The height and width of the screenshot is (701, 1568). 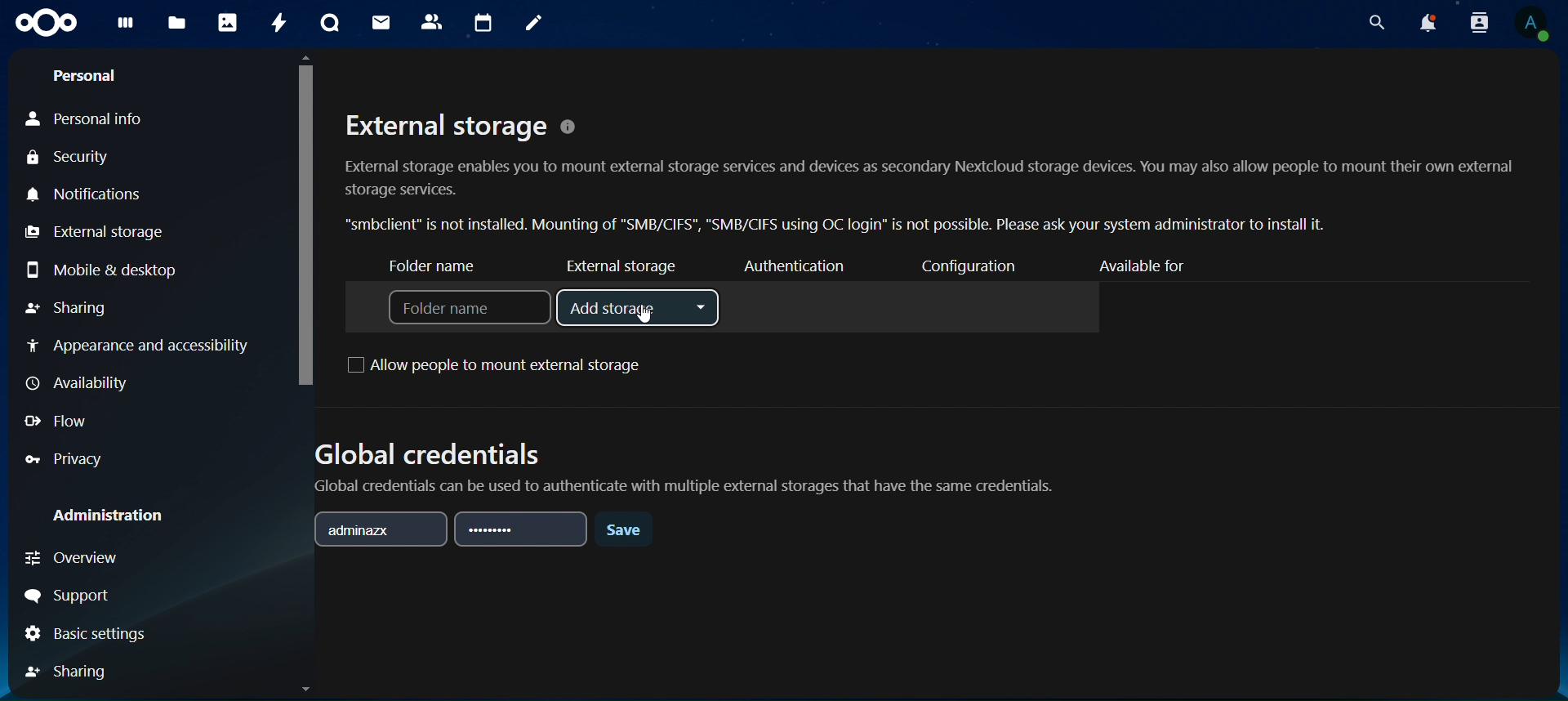 What do you see at coordinates (974, 268) in the screenshot?
I see `configuration` at bounding box center [974, 268].